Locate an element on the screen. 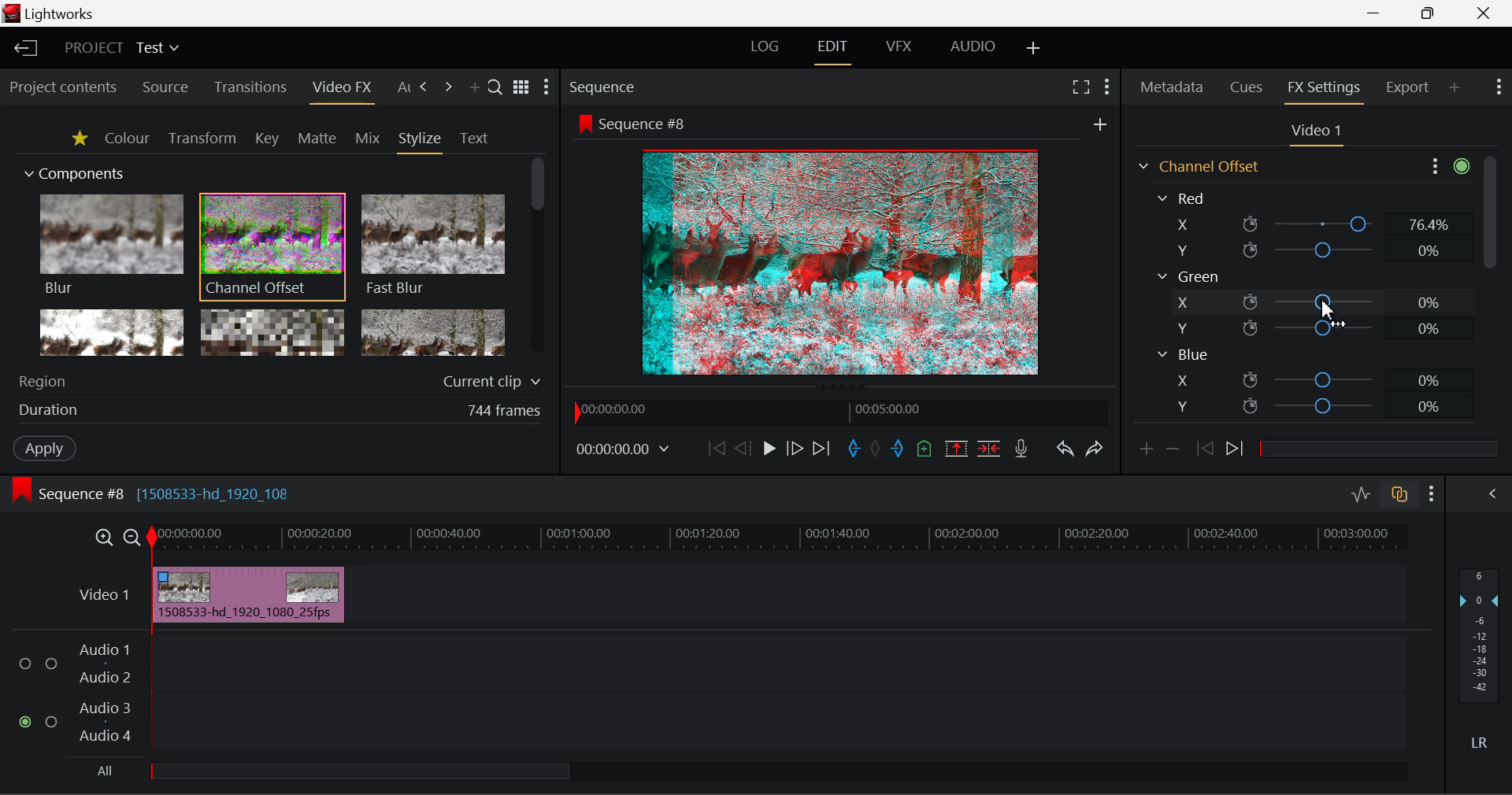 The image size is (1512, 795). Channel Offset is located at coordinates (272, 248).